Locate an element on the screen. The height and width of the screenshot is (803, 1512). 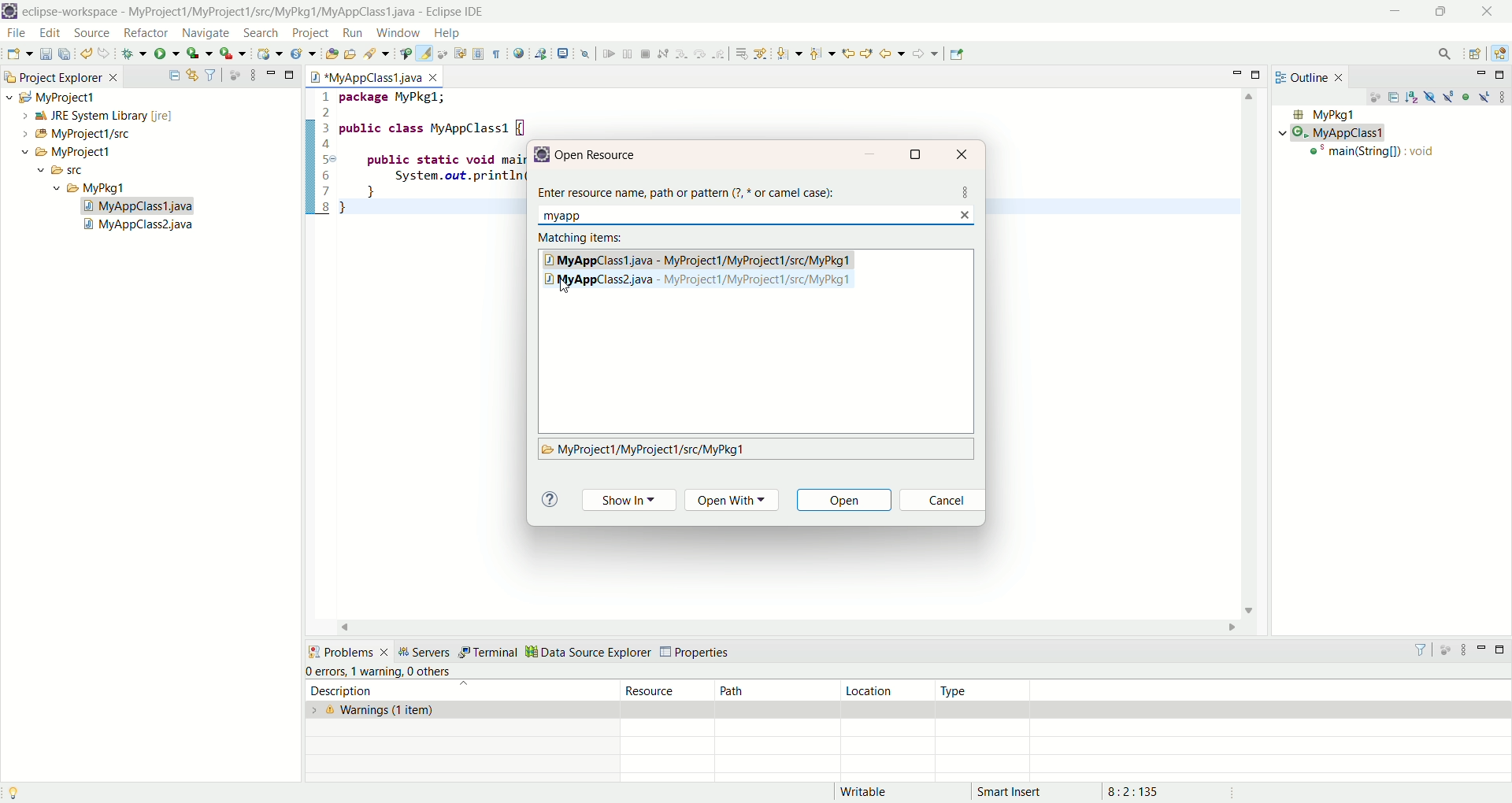
help is located at coordinates (549, 500).